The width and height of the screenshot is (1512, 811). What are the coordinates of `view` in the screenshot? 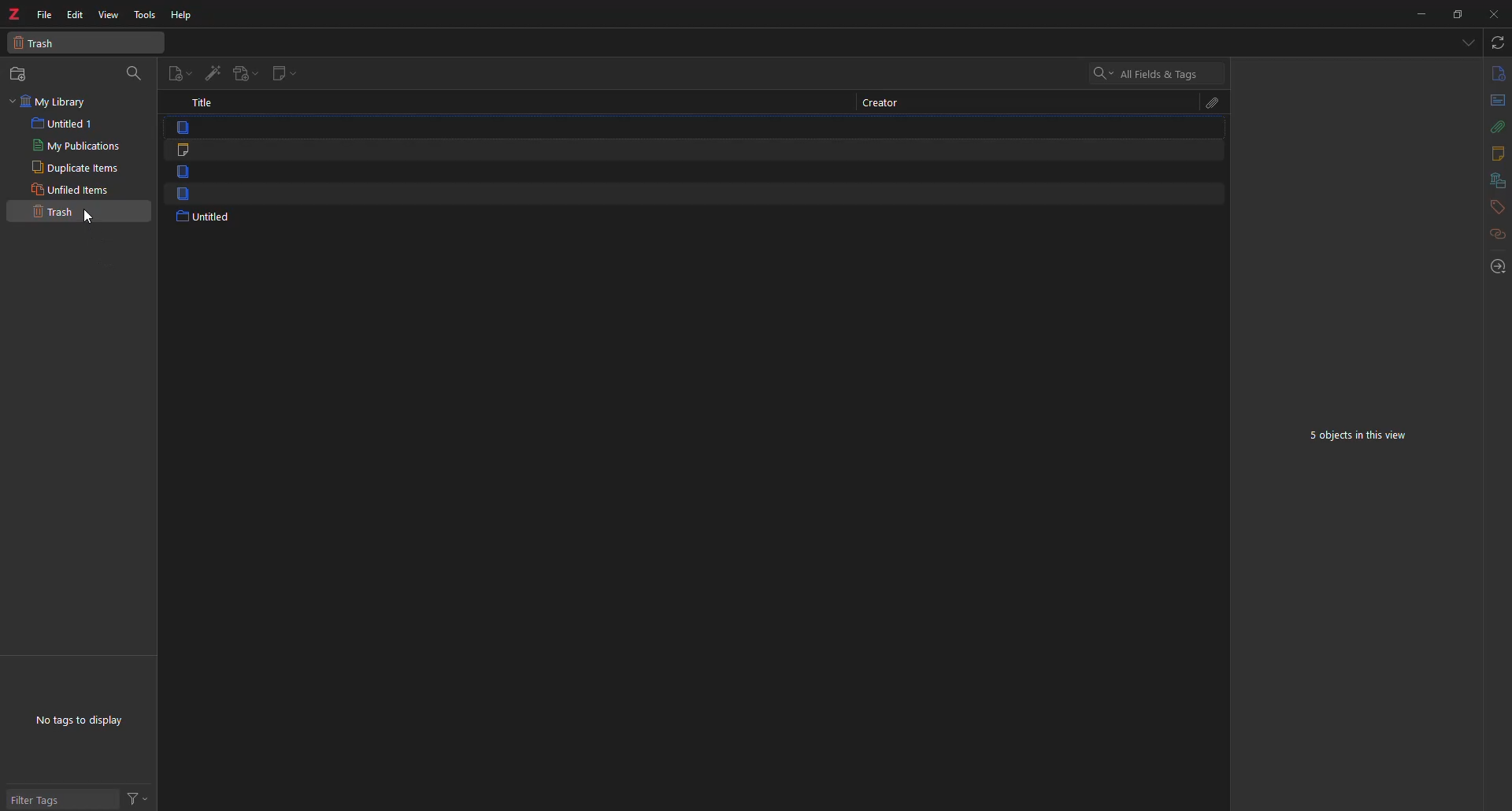 It's located at (109, 16).